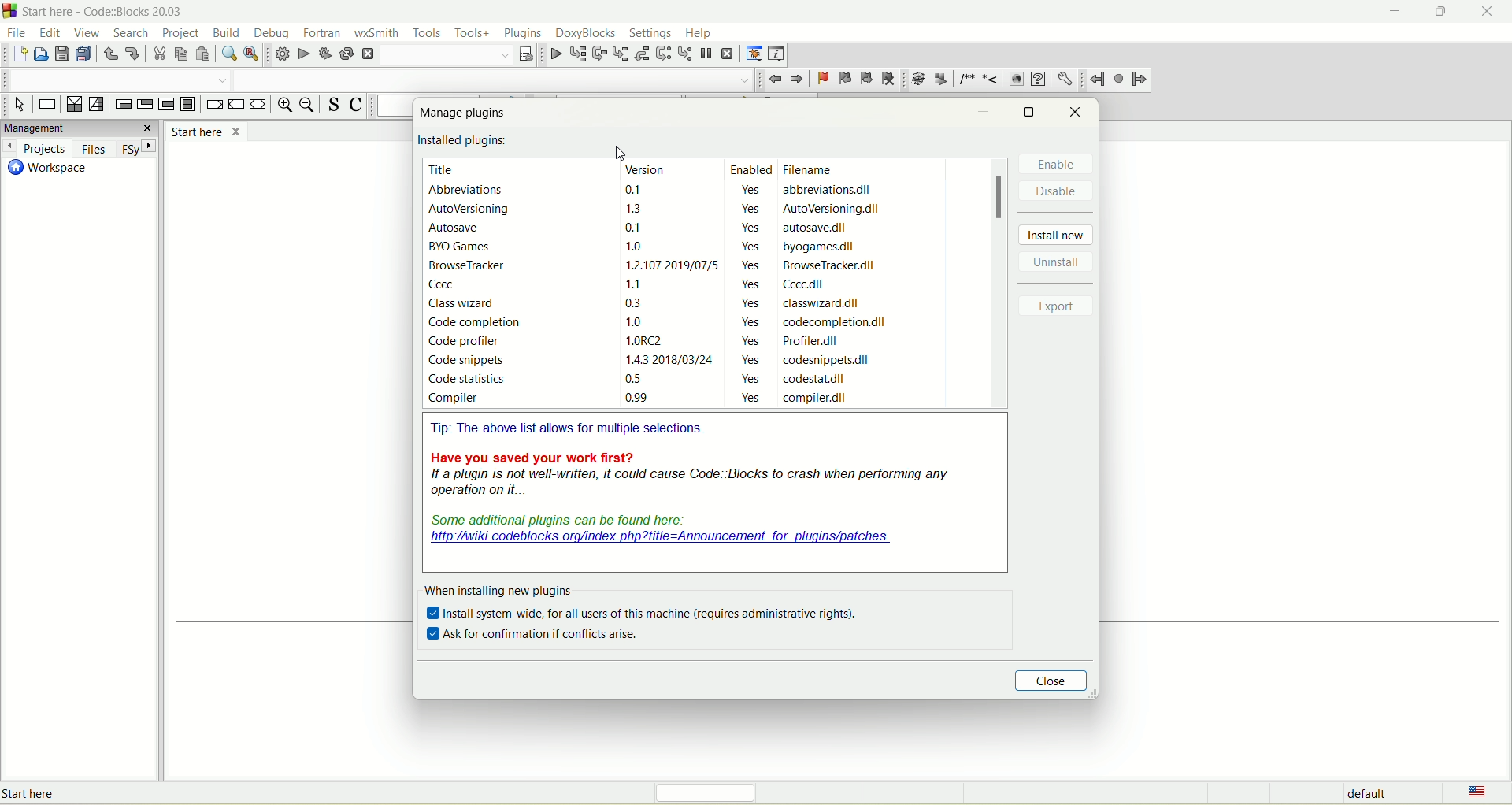 The image size is (1512, 805). I want to click on Code completion 1.0 Yes  codecompletion.dll, so click(662, 323).